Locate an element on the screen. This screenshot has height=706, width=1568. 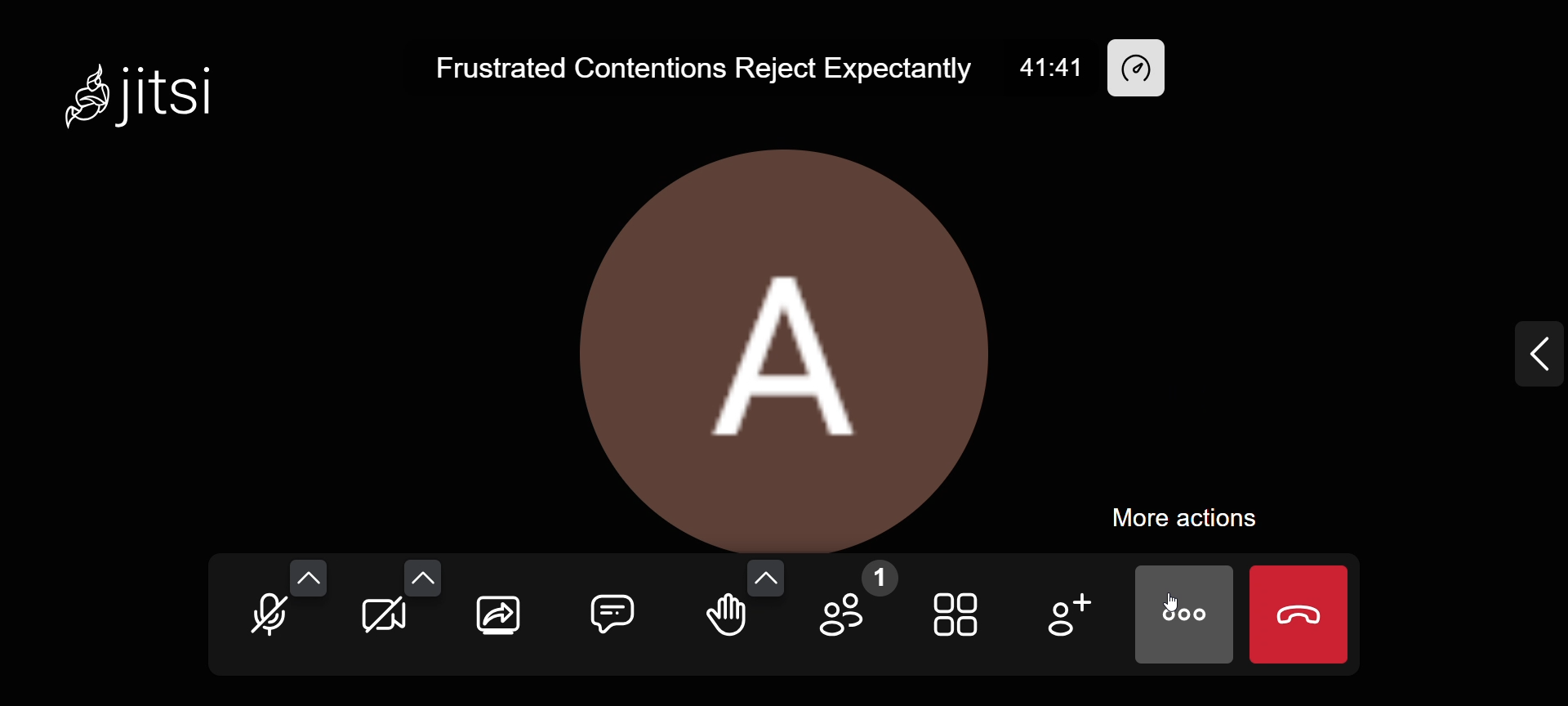
start your camera is located at coordinates (382, 619).